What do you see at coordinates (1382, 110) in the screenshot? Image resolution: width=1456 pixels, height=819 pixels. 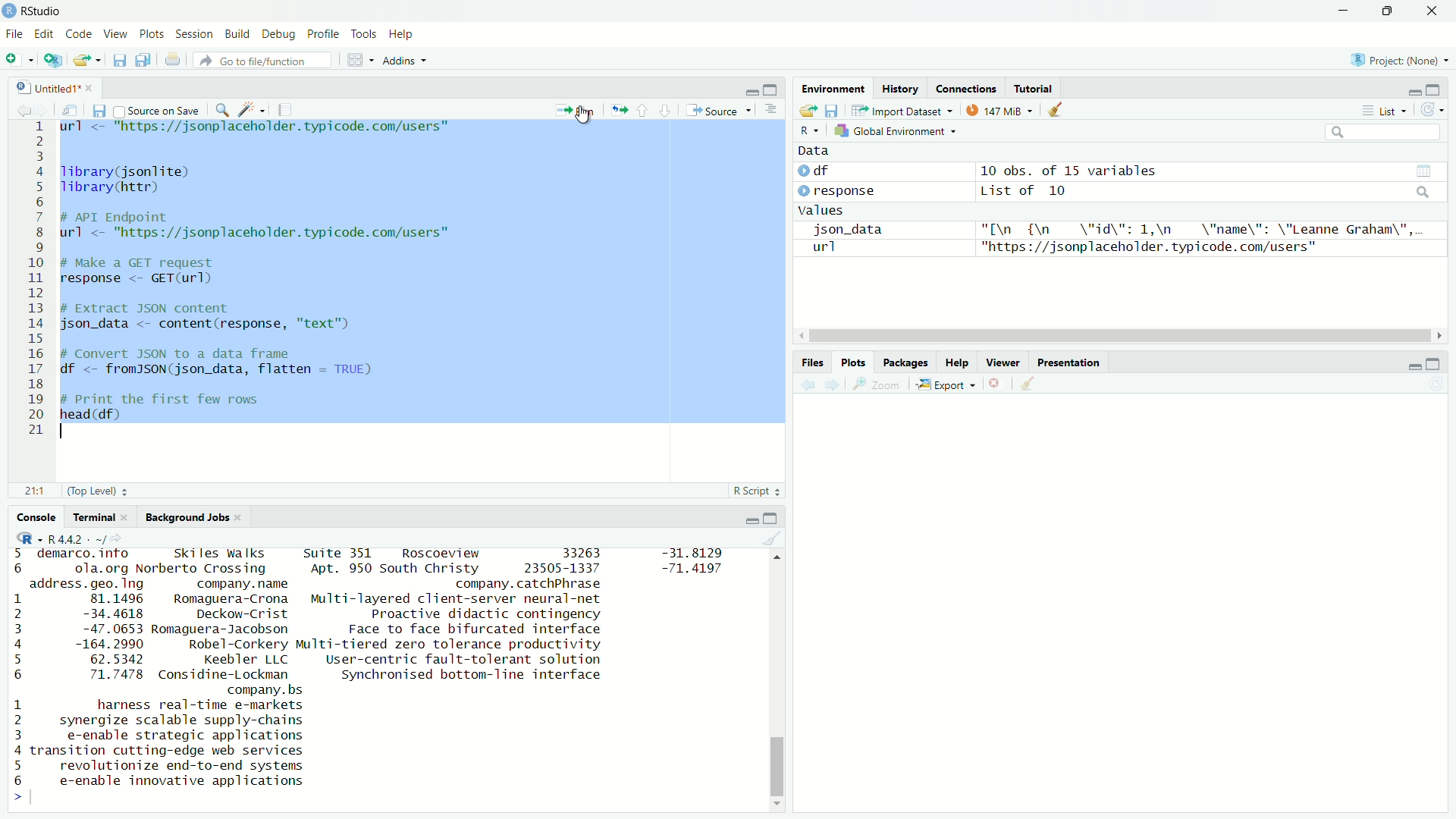 I see `List ` at bounding box center [1382, 110].